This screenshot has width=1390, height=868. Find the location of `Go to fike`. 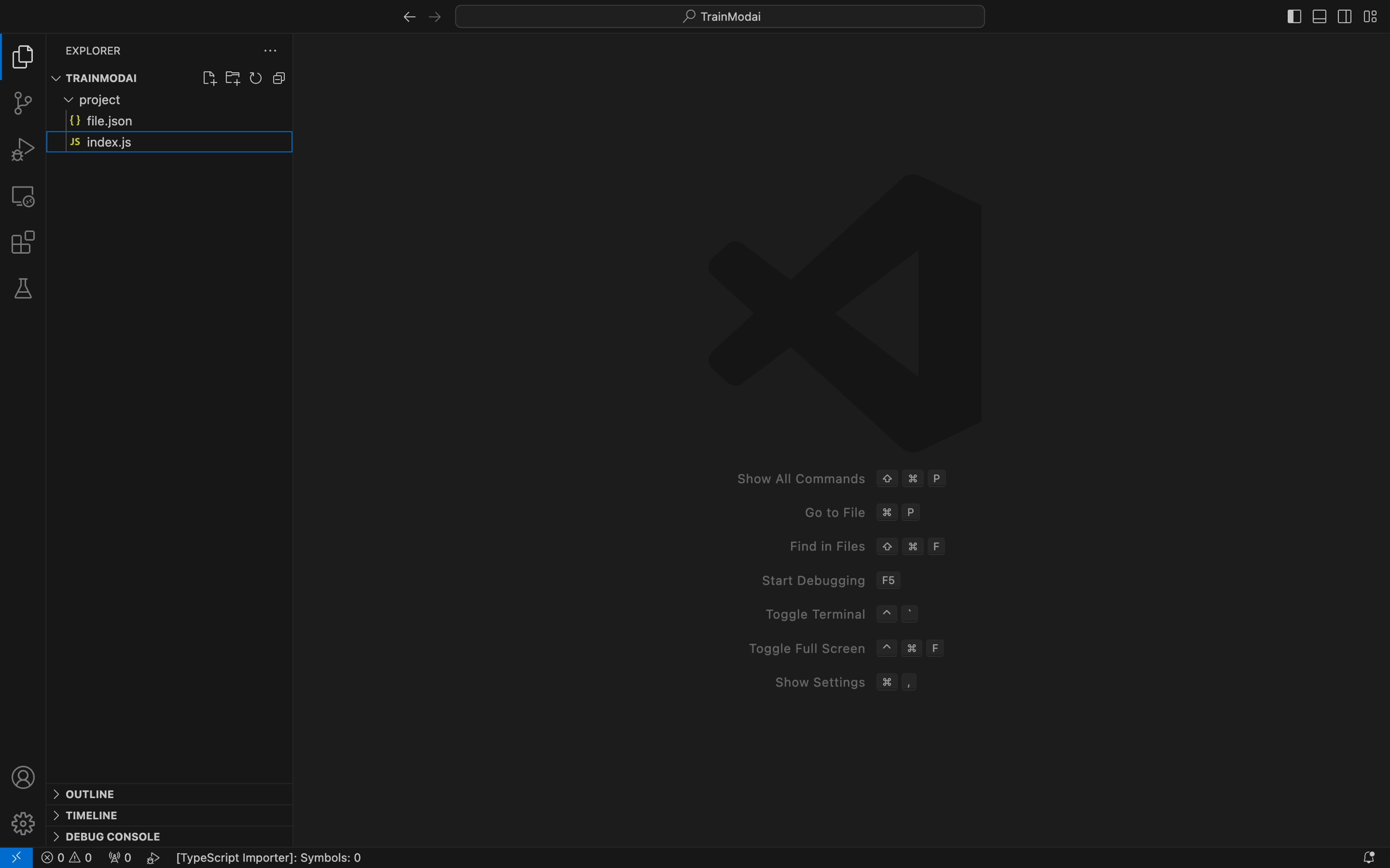

Go to fike is located at coordinates (858, 507).